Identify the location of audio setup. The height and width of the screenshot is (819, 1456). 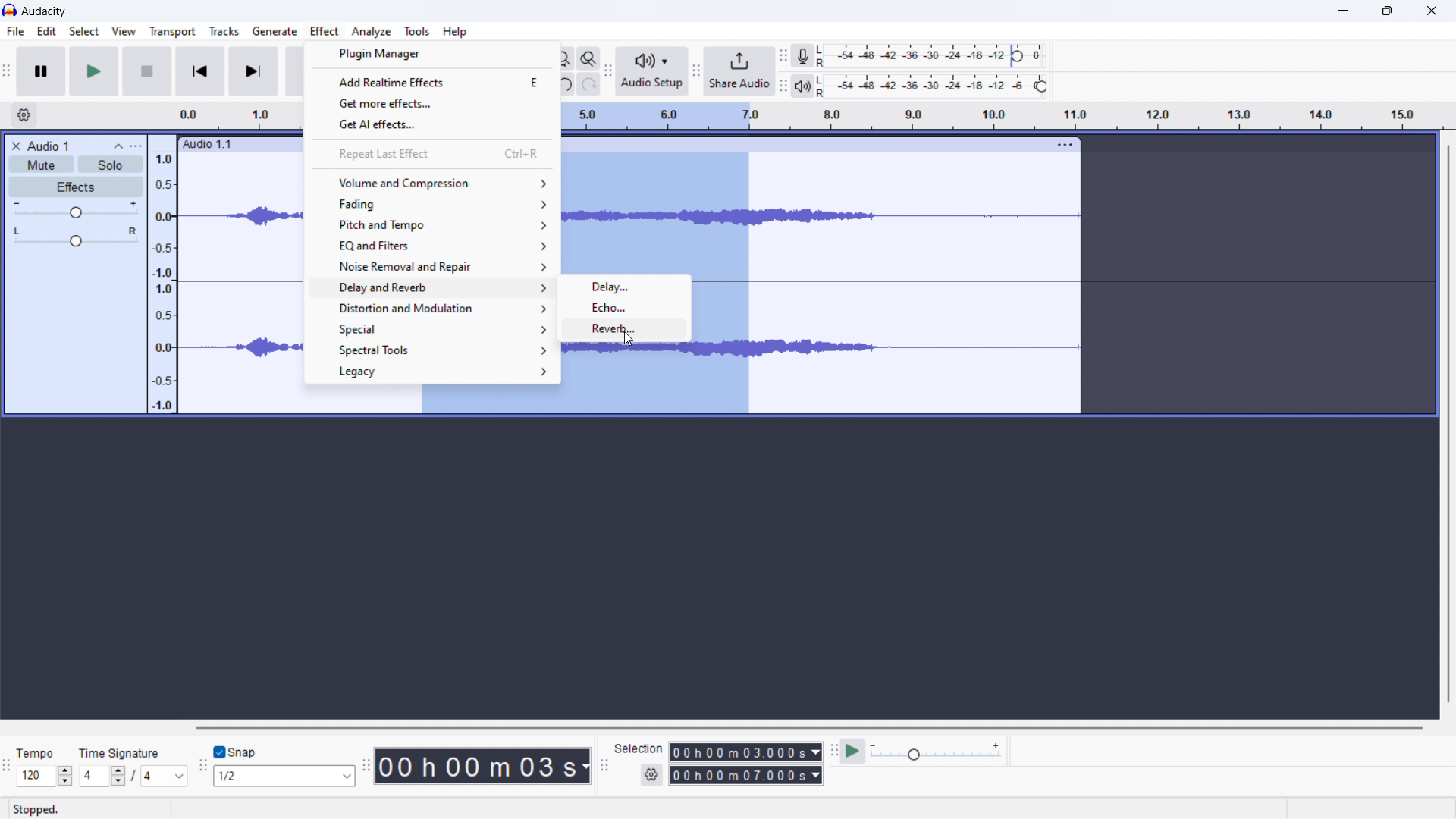
(652, 73).